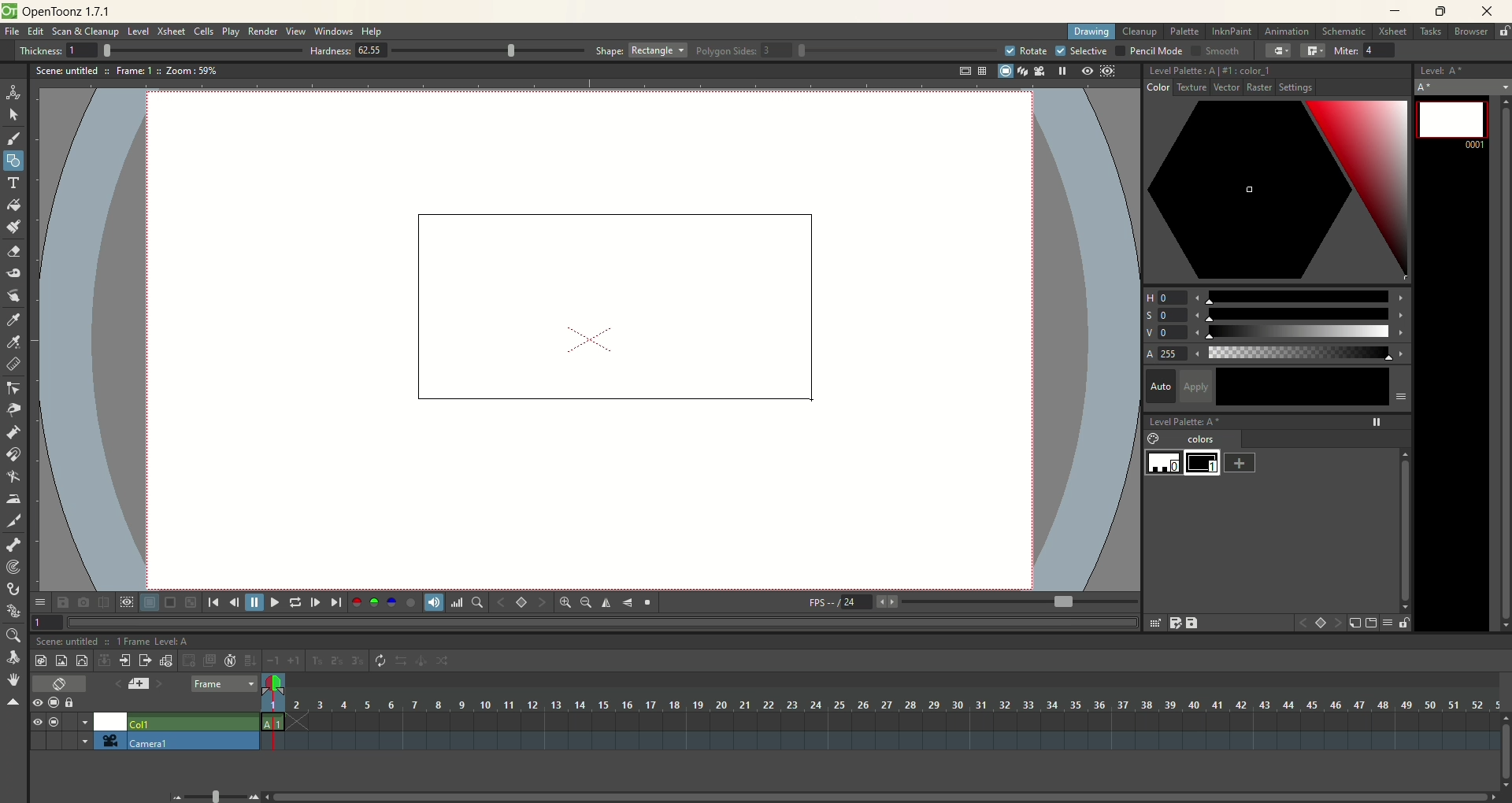 This screenshot has height=803, width=1512. I want to click on scene untitled :: Frame 1 :: Zoom 59% , so click(127, 73).